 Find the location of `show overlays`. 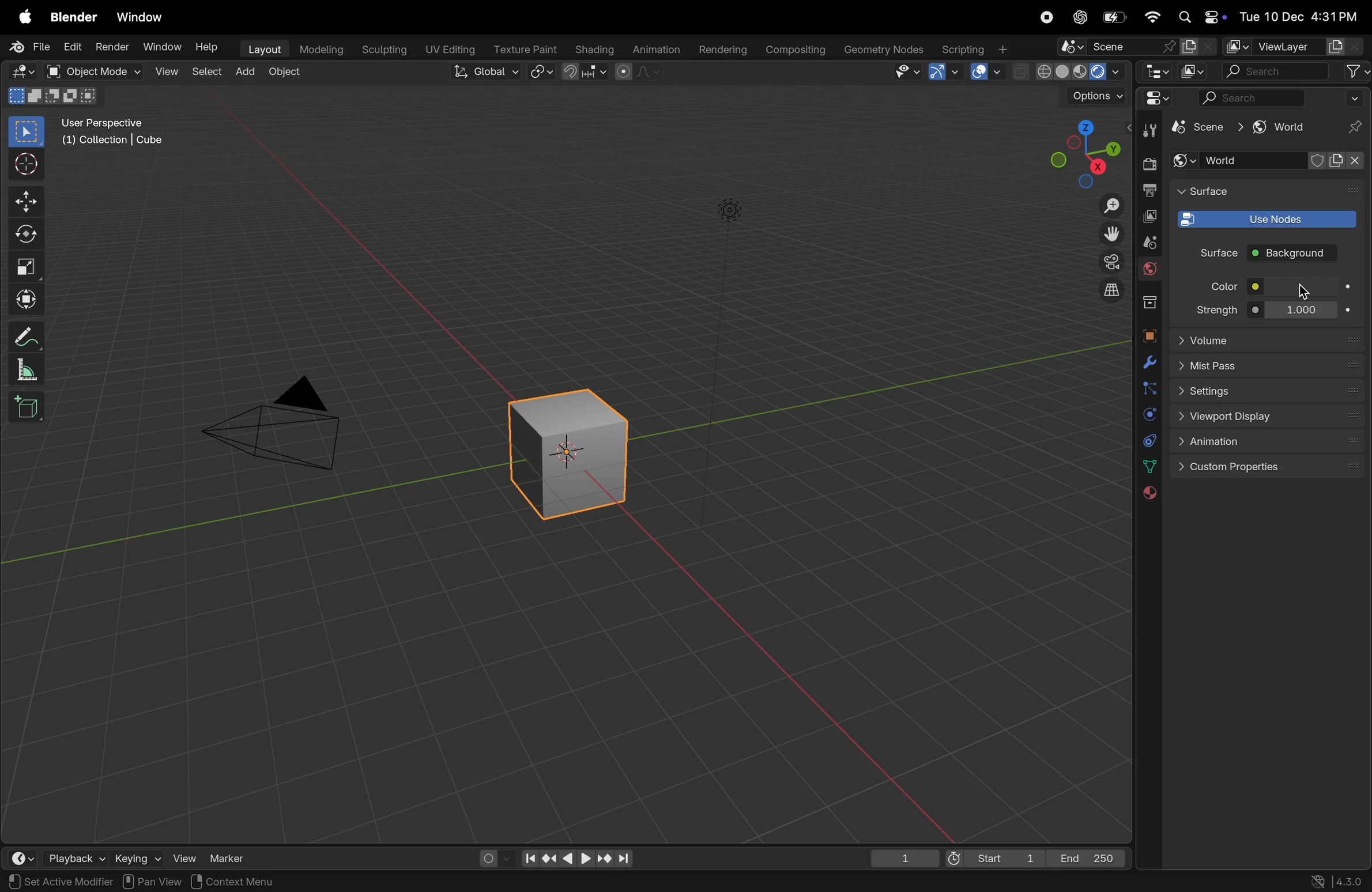

show overlays is located at coordinates (988, 71).